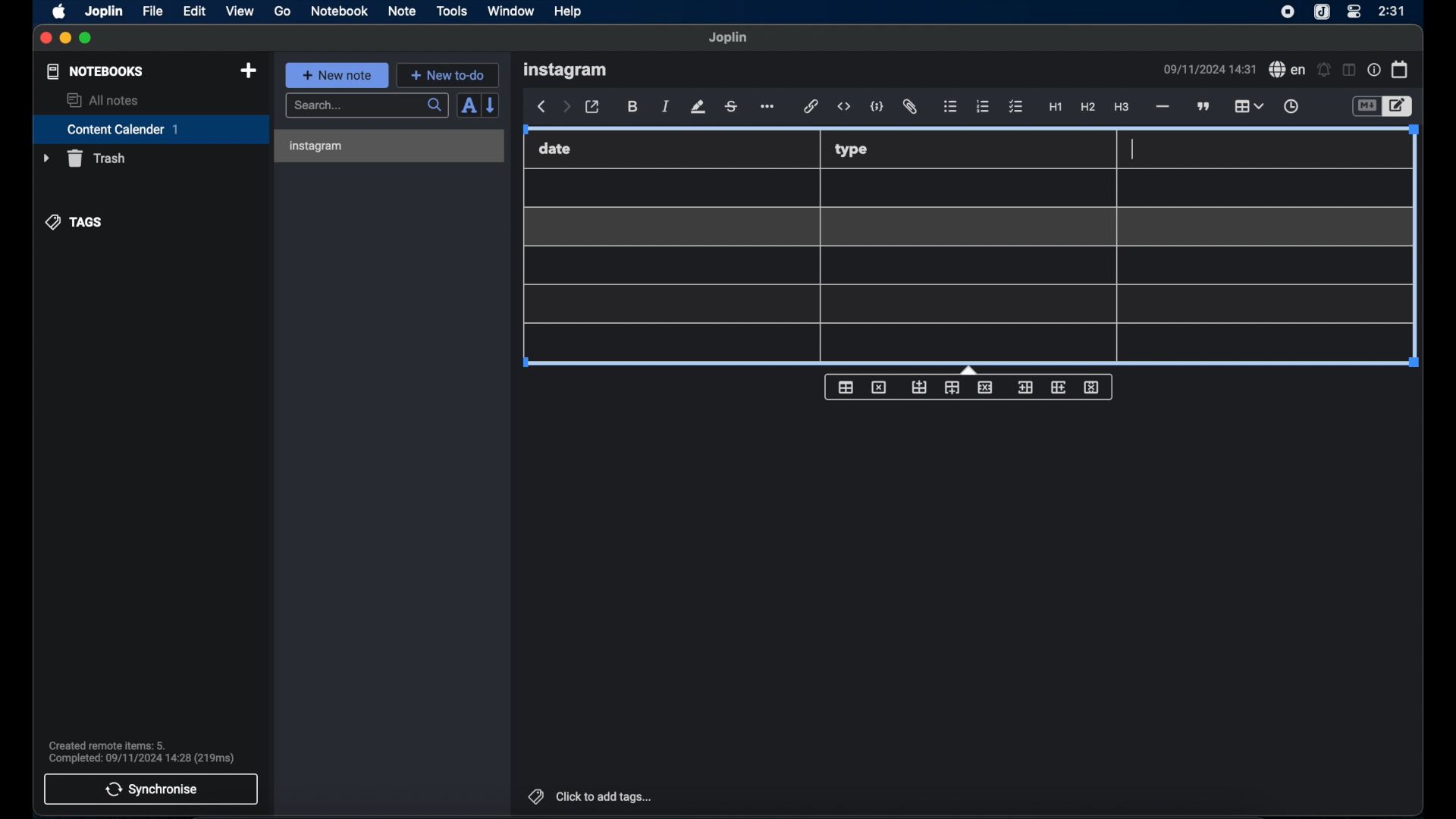  I want to click on 2:31(time), so click(1392, 11).